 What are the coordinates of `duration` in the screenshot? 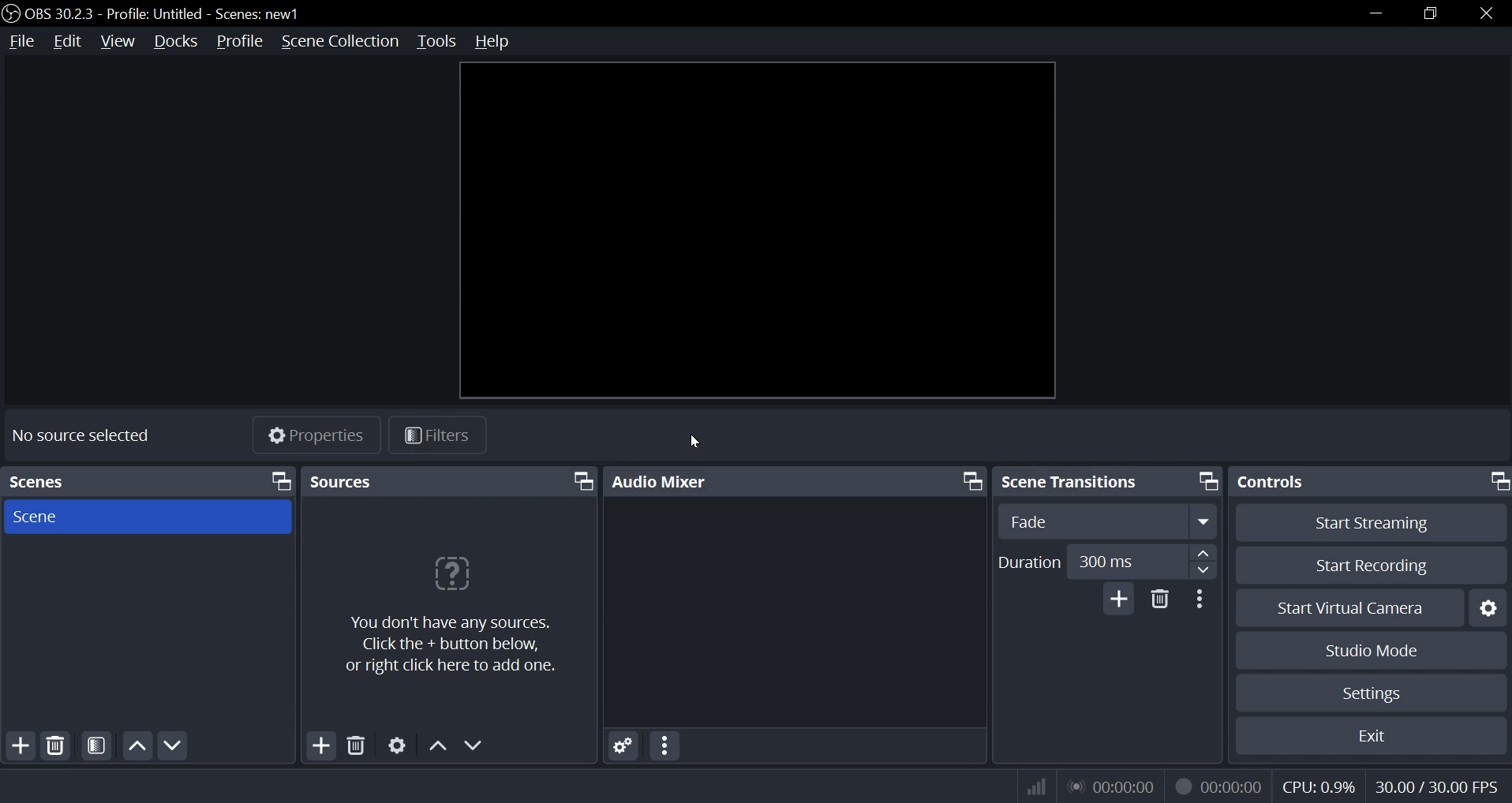 It's located at (1031, 562).